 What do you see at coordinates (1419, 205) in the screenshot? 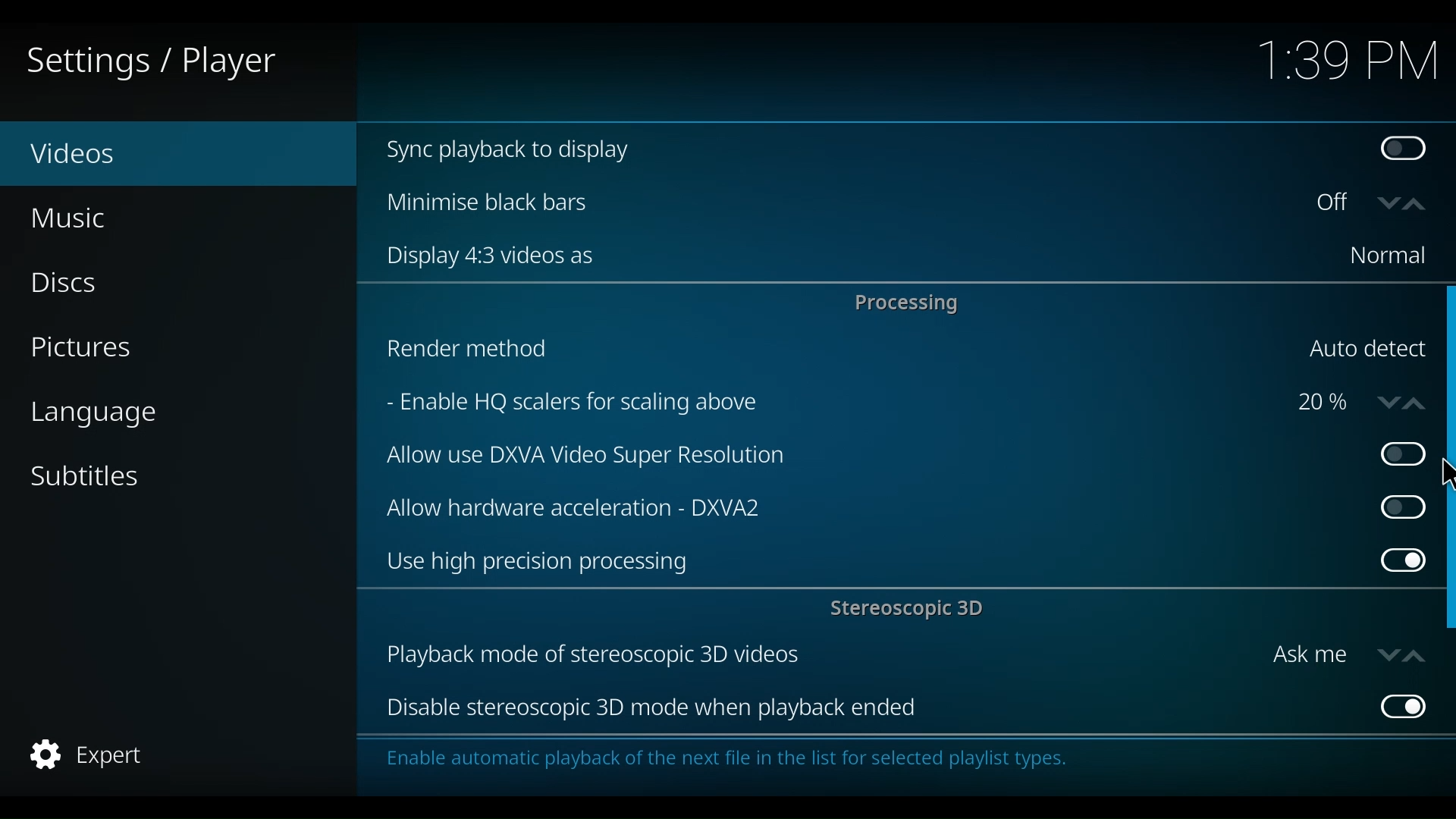
I see `up` at bounding box center [1419, 205].